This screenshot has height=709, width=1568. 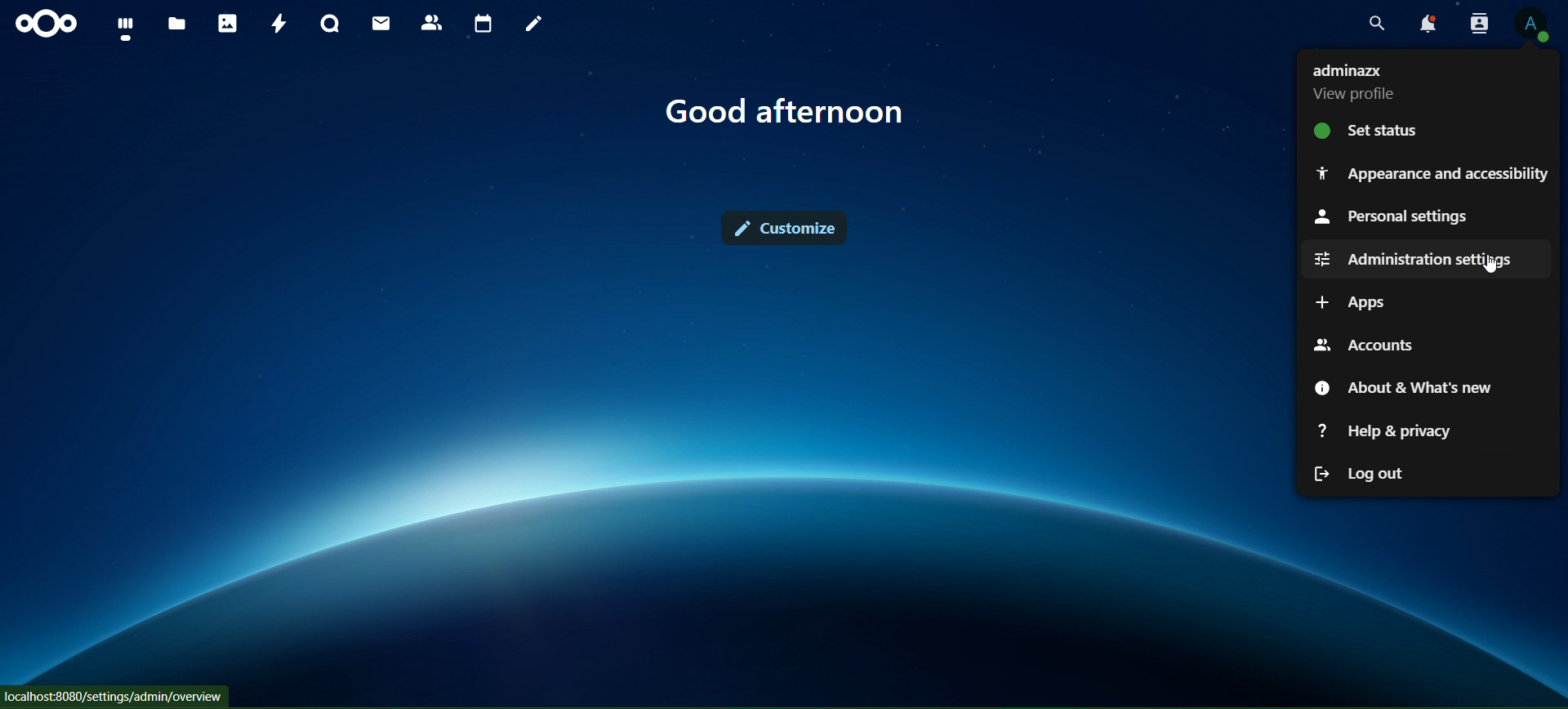 What do you see at coordinates (46, 24) in the screenshot?
I see `icon` at bounding box center [46, 24].